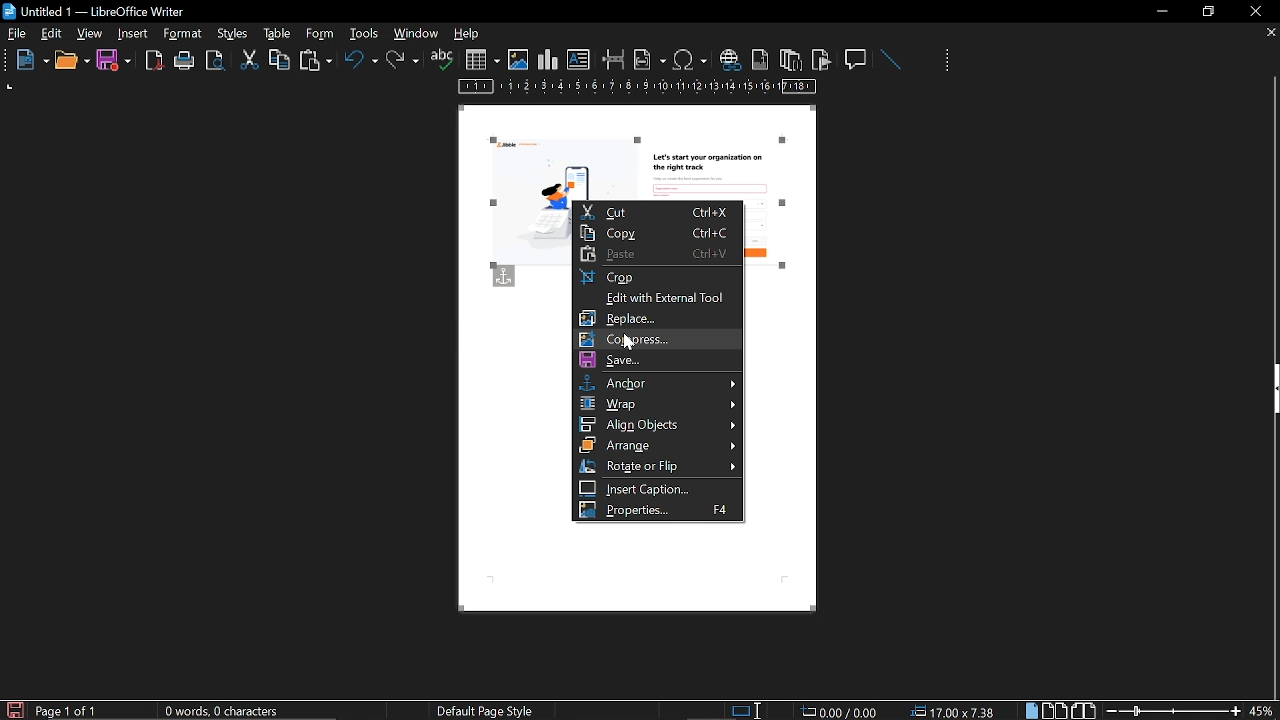 This screenshot has height=720, width=1280. What do you see at coordinates (662, 339) in the screenshot?
I see `compress` at bounding box center [662, 339].